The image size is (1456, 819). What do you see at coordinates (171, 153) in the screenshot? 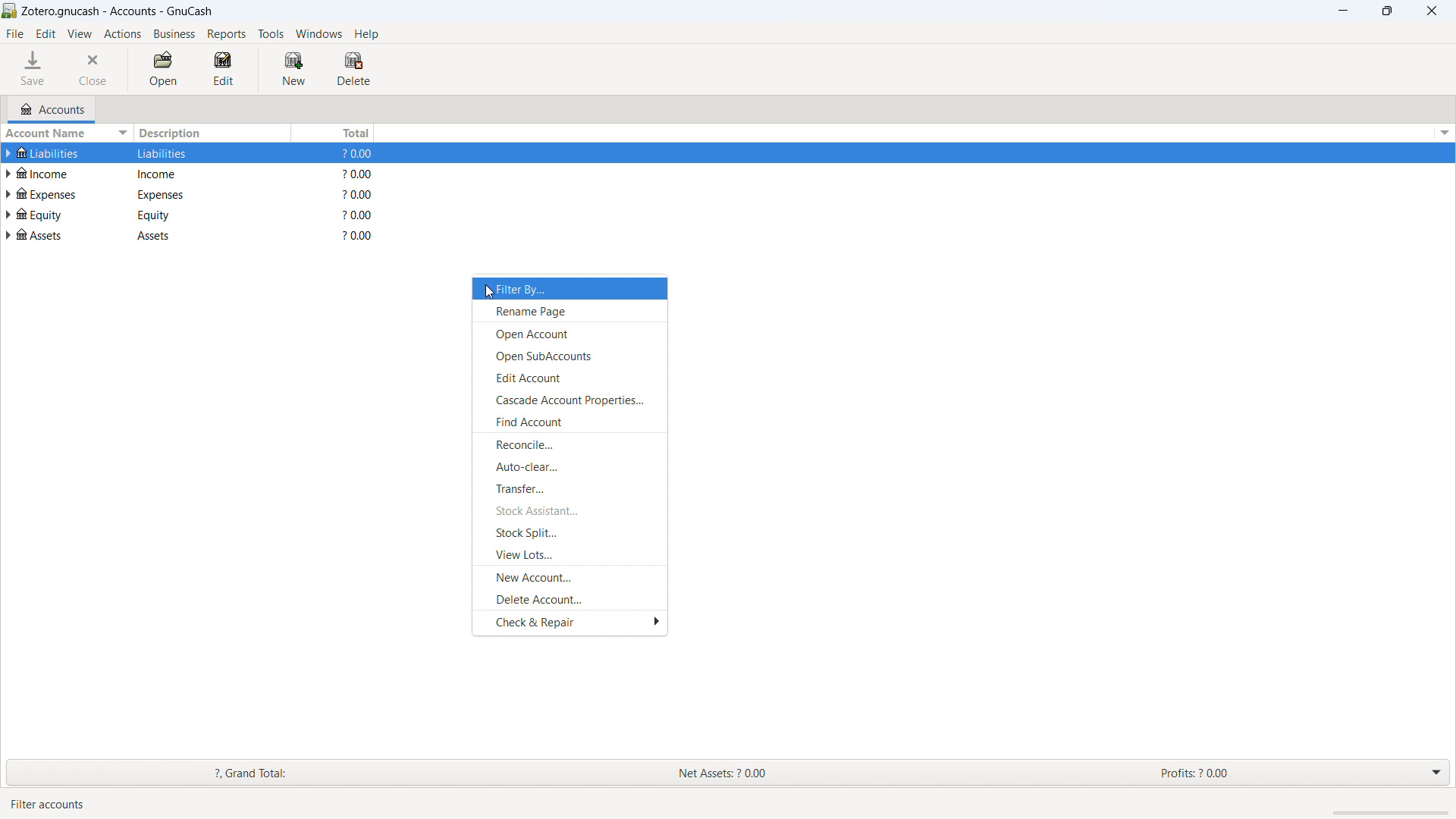
I see `Liabilities` at bounding box center [171, 153].